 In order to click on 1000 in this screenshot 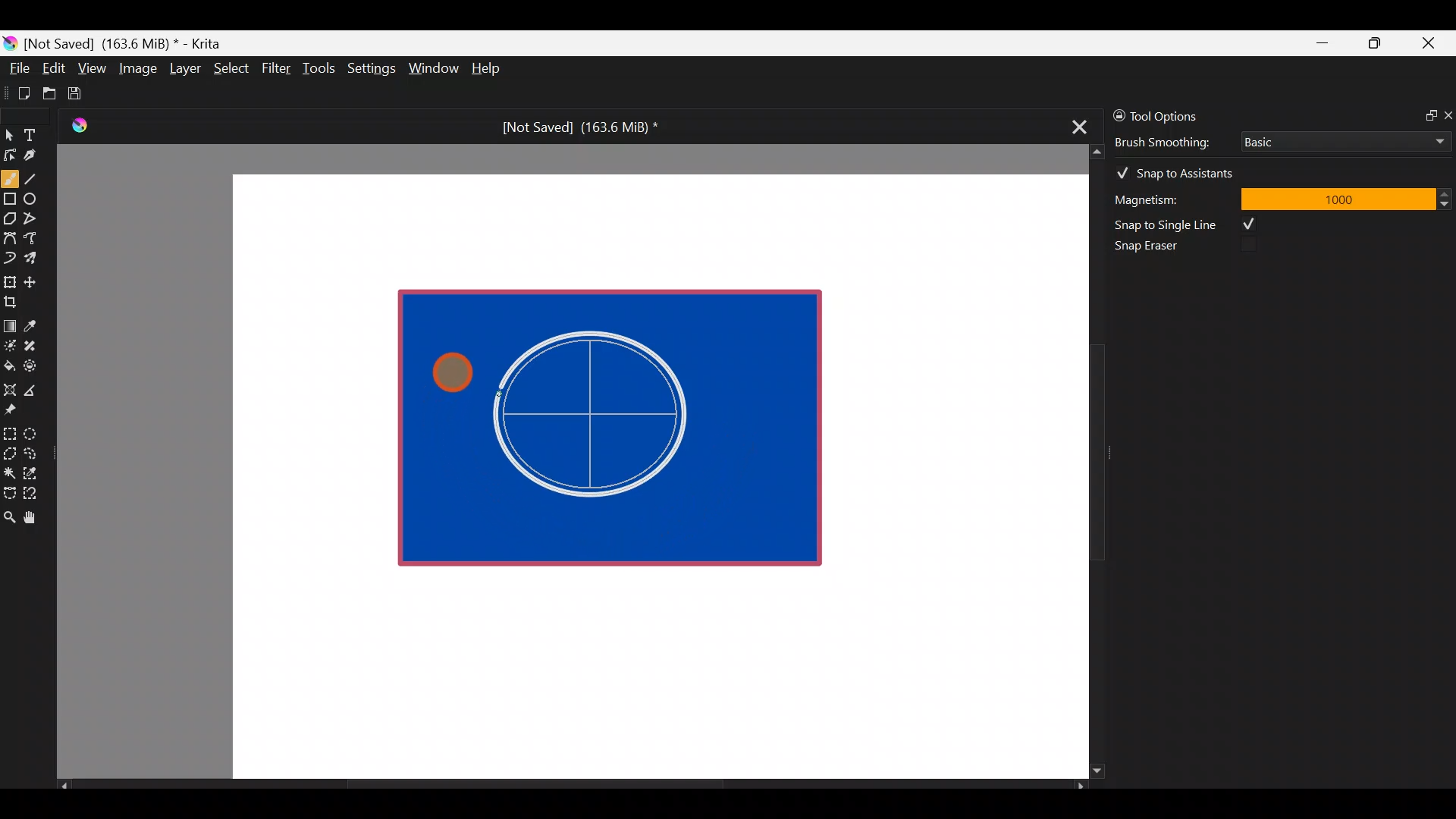, I will do `click(1337, 198)`.